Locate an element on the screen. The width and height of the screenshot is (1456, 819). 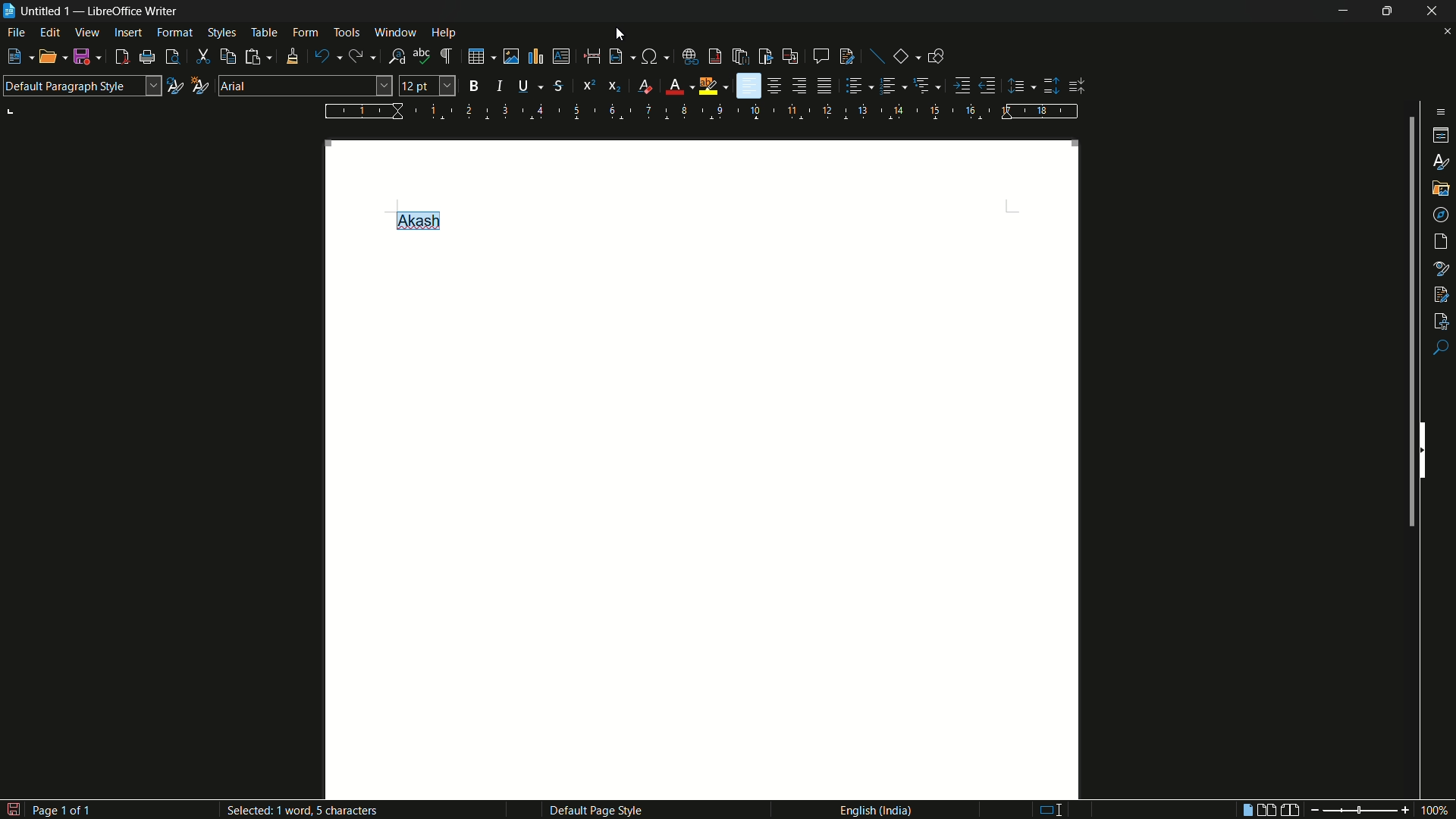
insert image is located at coordinates (504, 55).